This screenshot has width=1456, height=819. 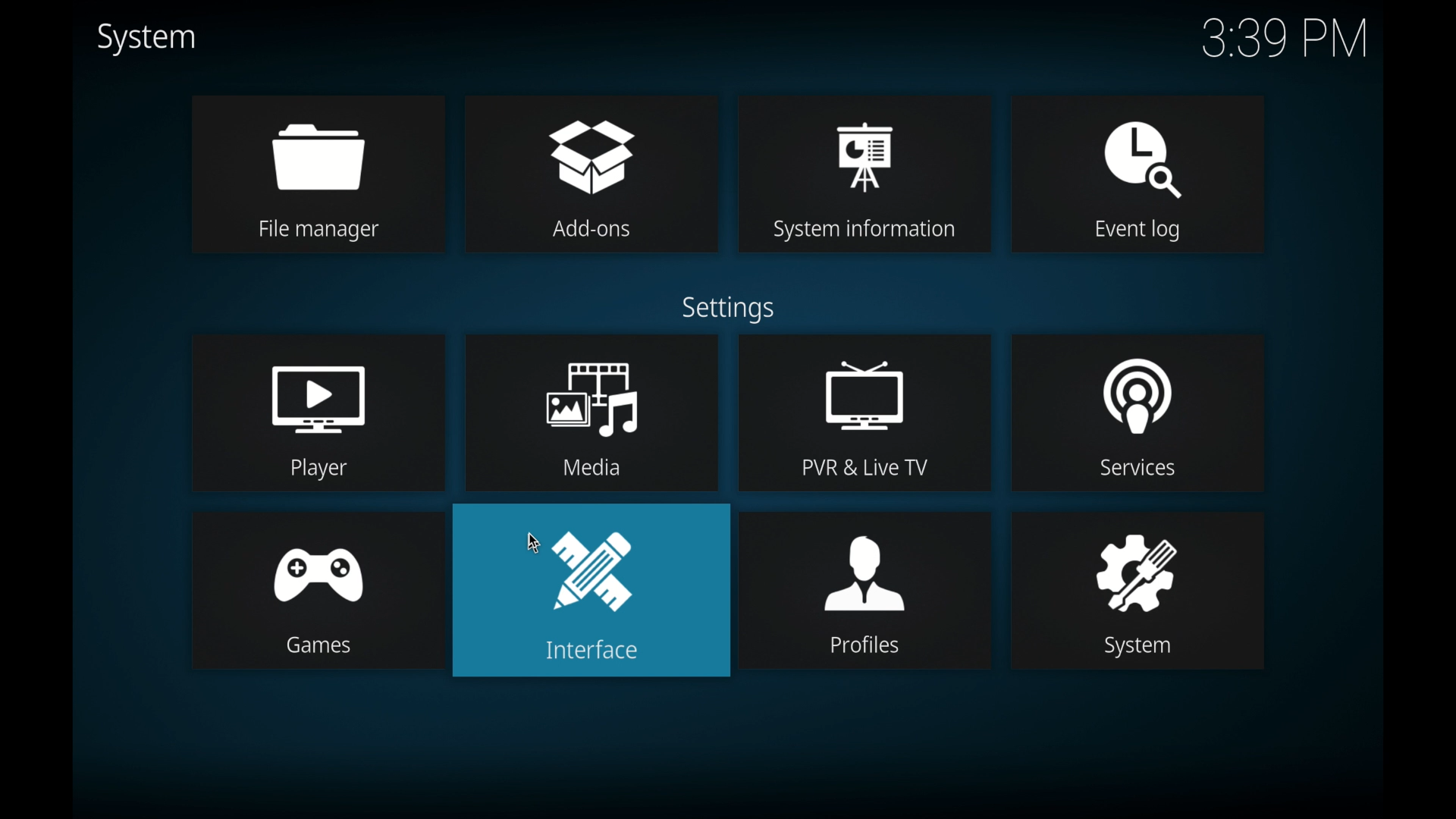 I want to click on add-ons, so click(x=592, y=174).